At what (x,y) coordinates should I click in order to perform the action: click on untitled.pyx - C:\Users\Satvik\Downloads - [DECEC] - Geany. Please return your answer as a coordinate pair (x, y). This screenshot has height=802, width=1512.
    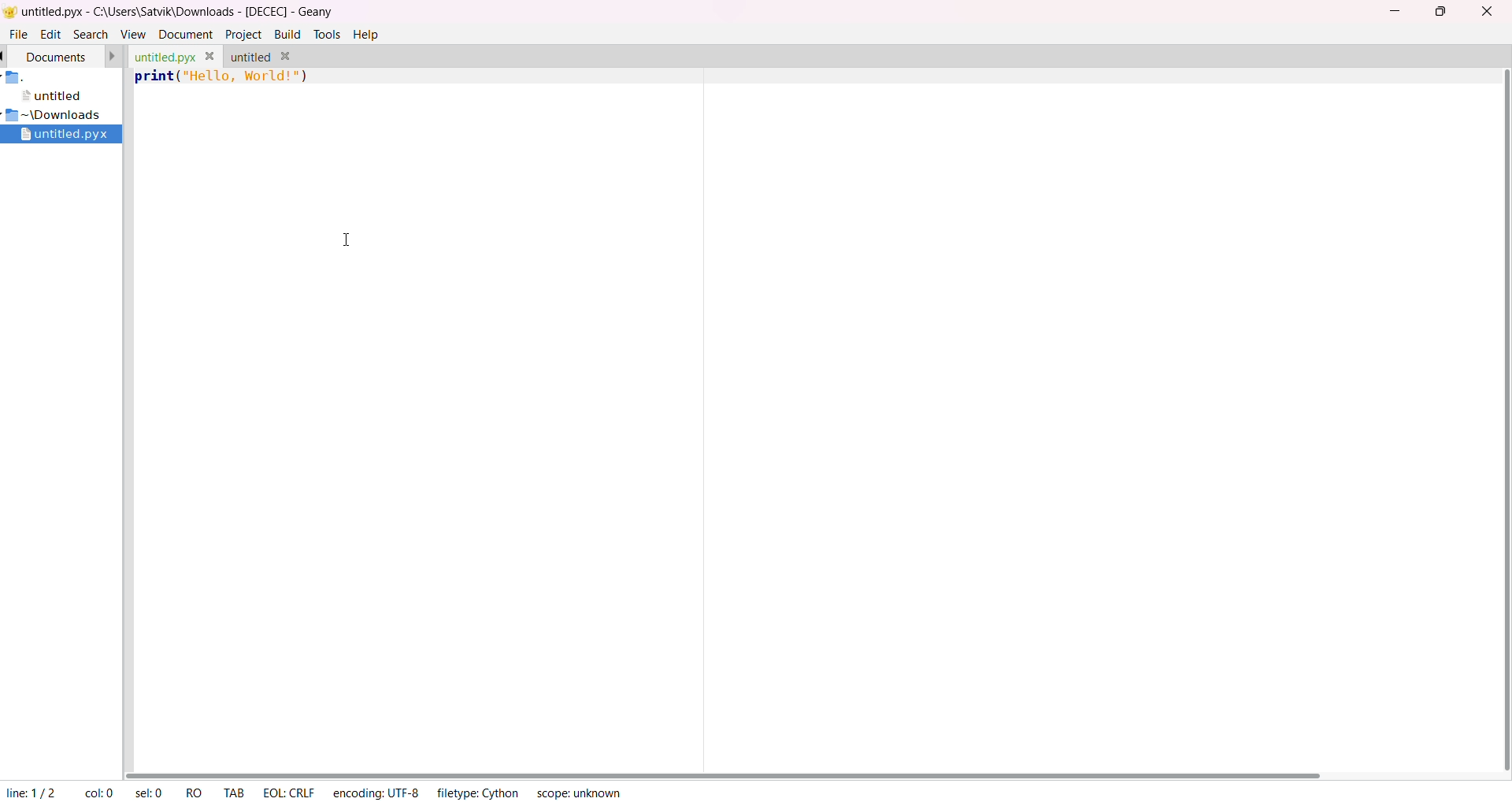
    Looking at the image, I should click on (180, 9).